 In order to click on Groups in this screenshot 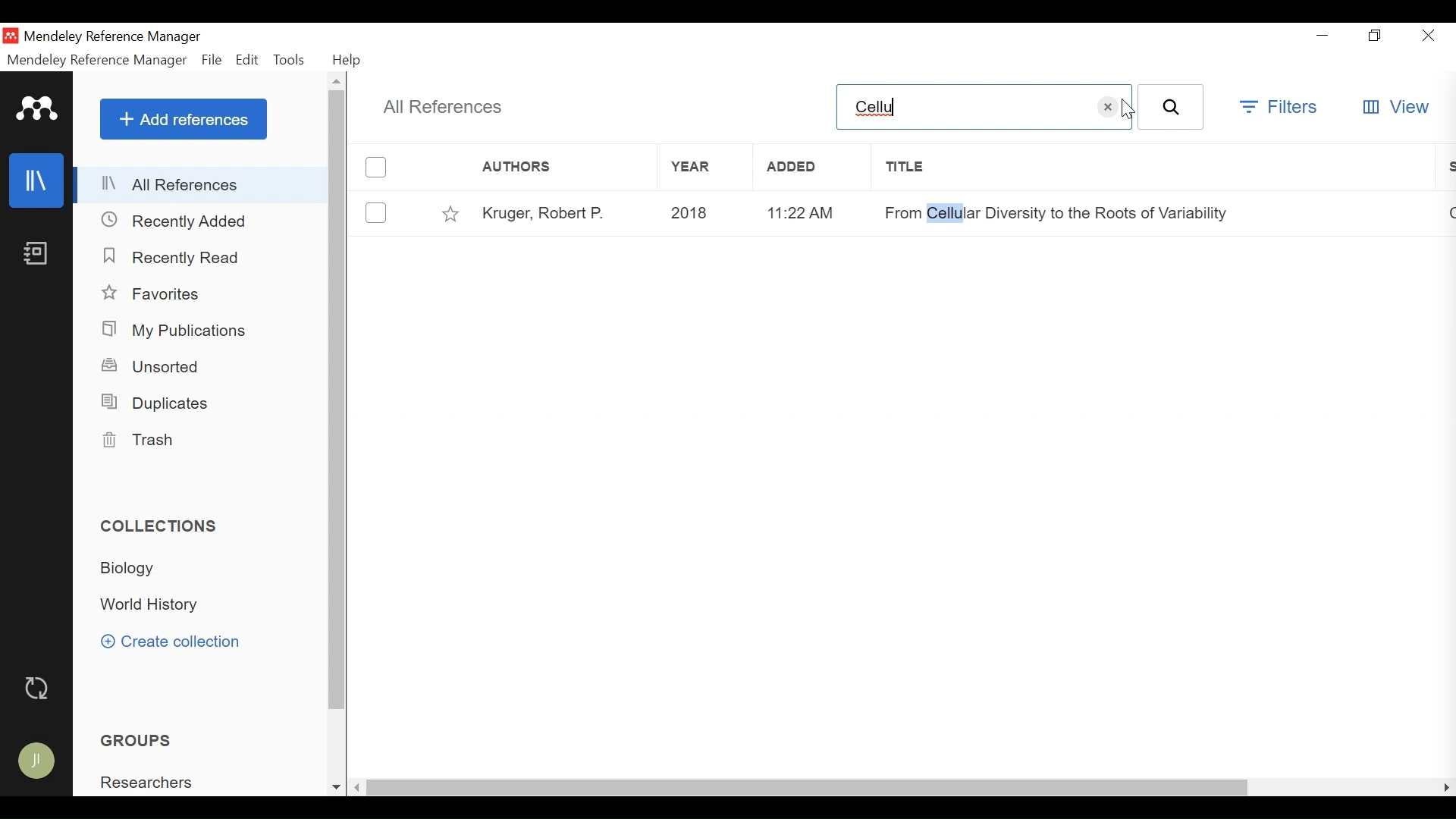, I will do `click(135, 740)`.